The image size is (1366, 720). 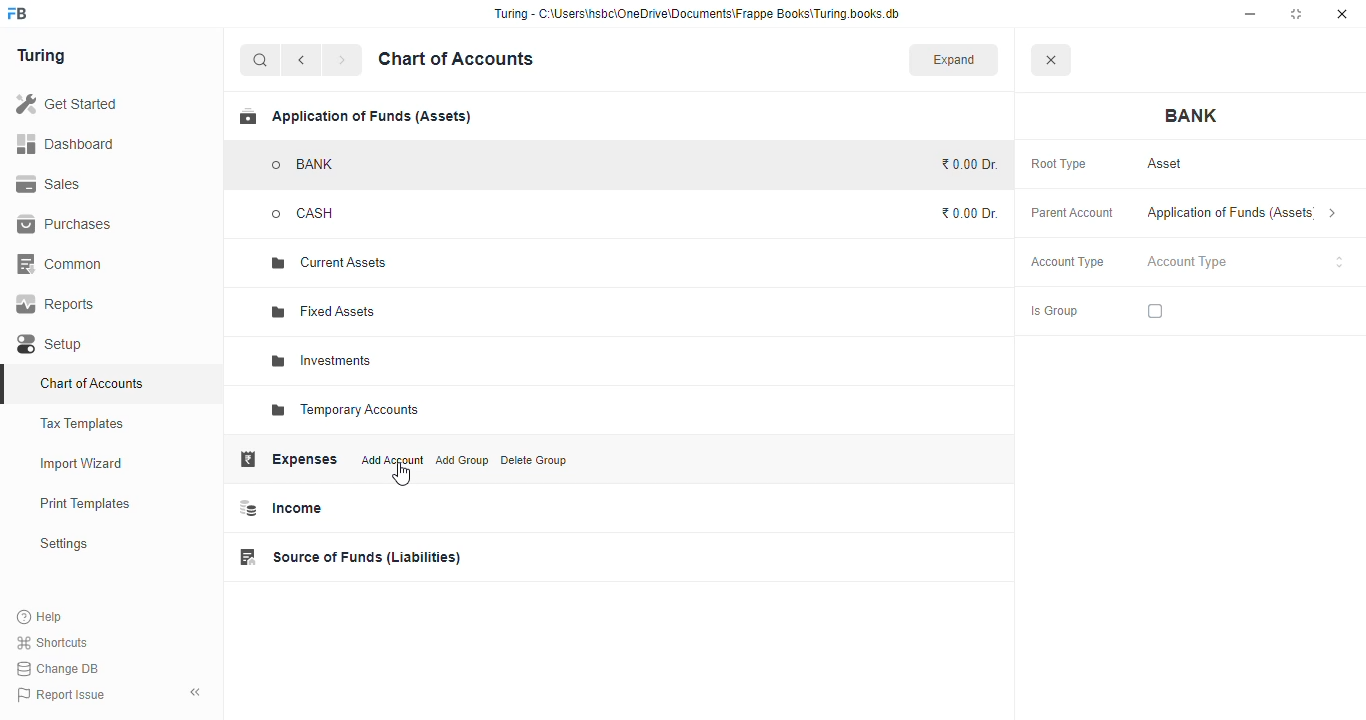 I want to click on import wizard, so click(x=82, y=464).